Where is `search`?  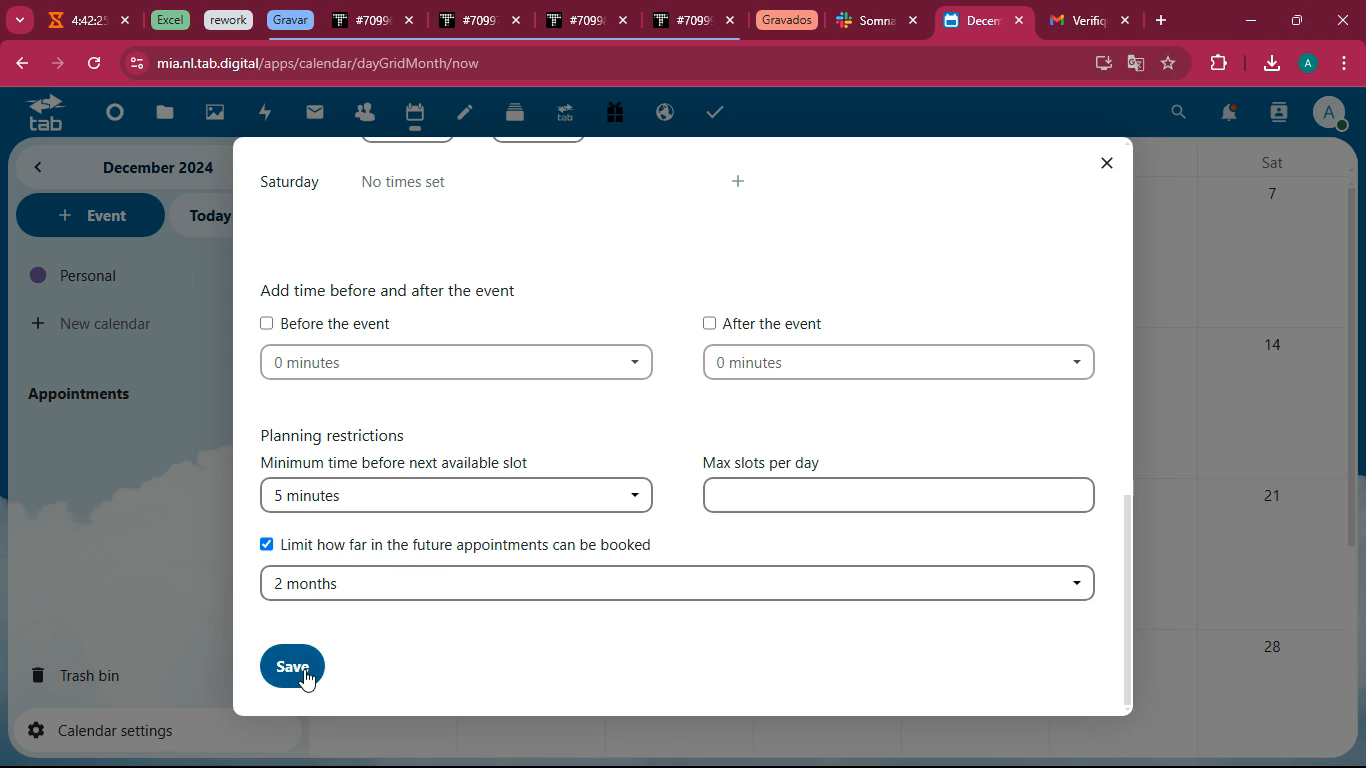
search is located at coordinates (1179, 115).